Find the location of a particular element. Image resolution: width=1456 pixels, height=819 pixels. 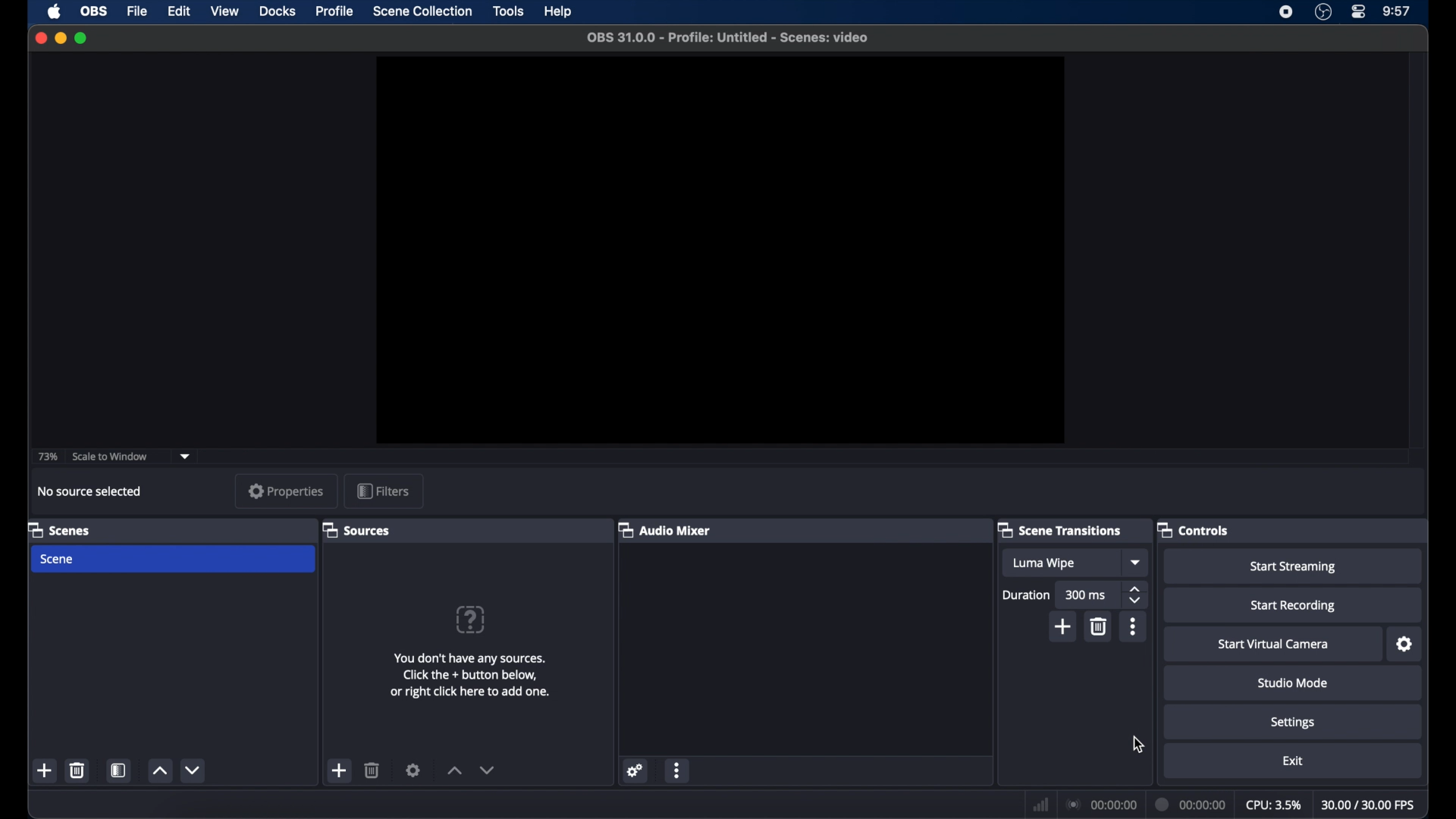

screen recorder icon is located at coordinates (1287, 12).